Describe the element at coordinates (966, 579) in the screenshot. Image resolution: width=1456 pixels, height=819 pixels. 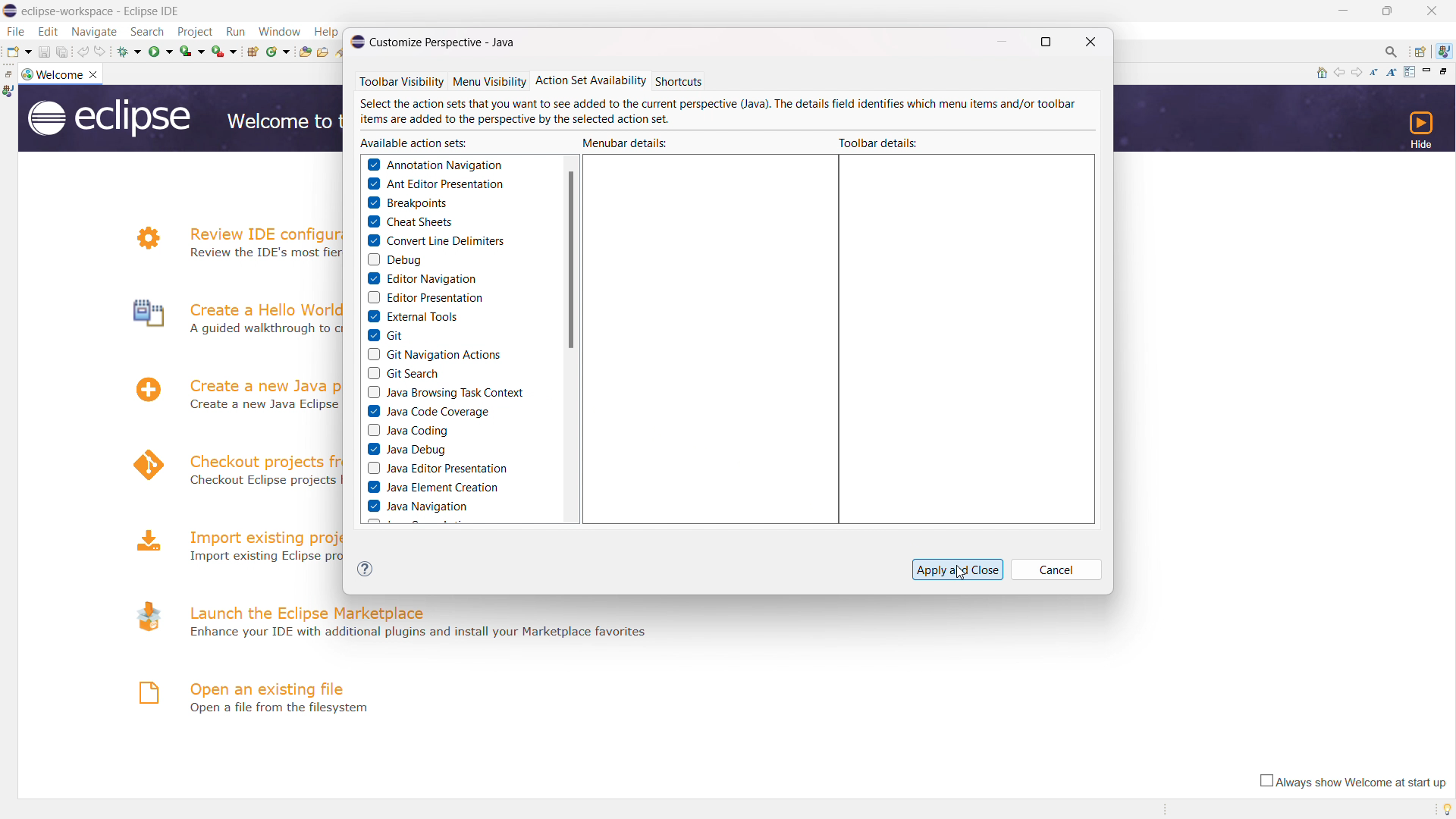
I see `cursor` at that location.